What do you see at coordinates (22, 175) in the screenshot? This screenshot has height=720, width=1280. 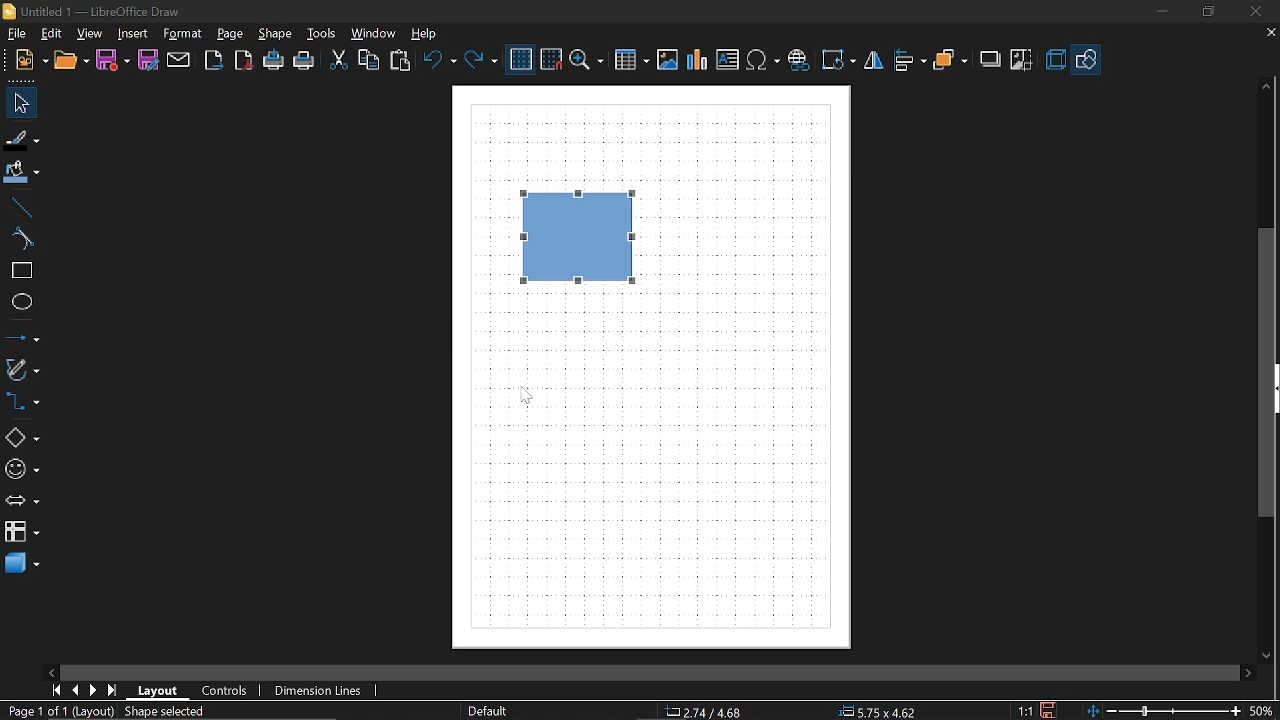 I see `Fill color` at bounding box center [22, 175].